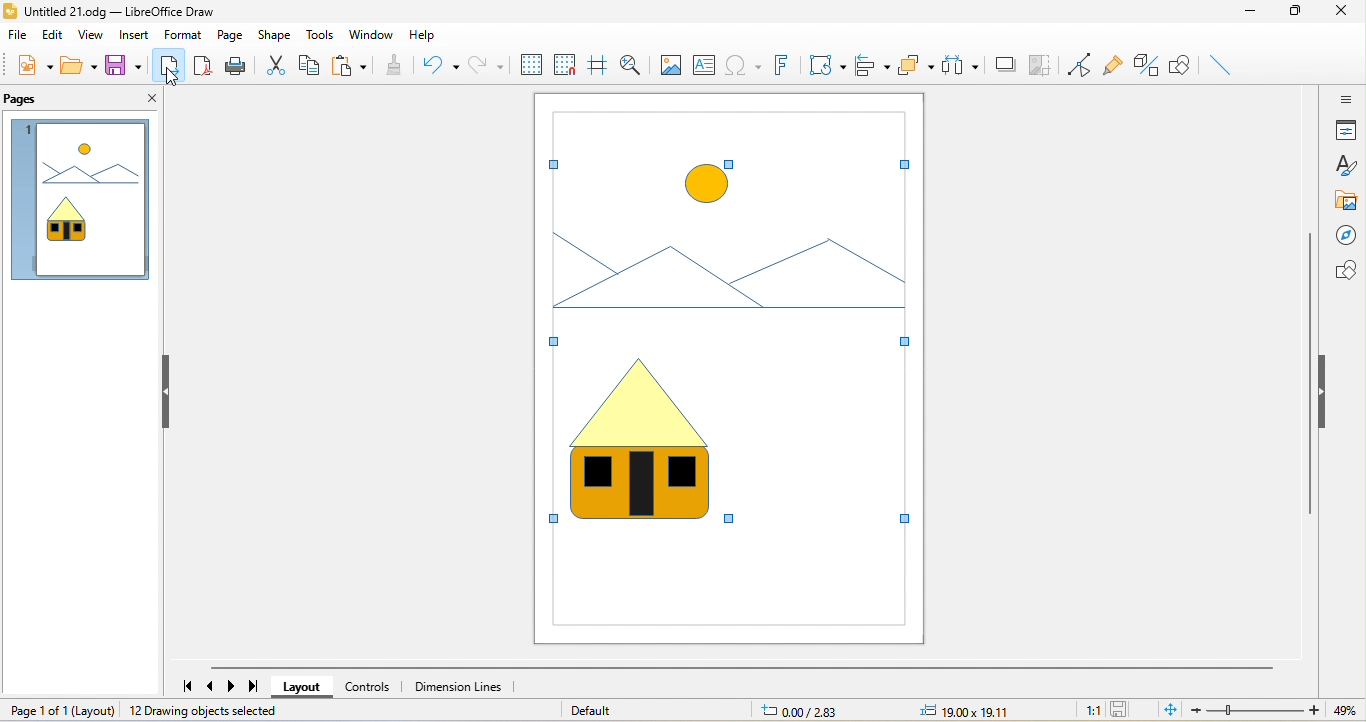 Image resolution: width=1366 pixels, height=722 pixels. What do you see at coordinates (1087, 710) in the screenshot?
I see `1:1` at bounding box center [1087, 710].